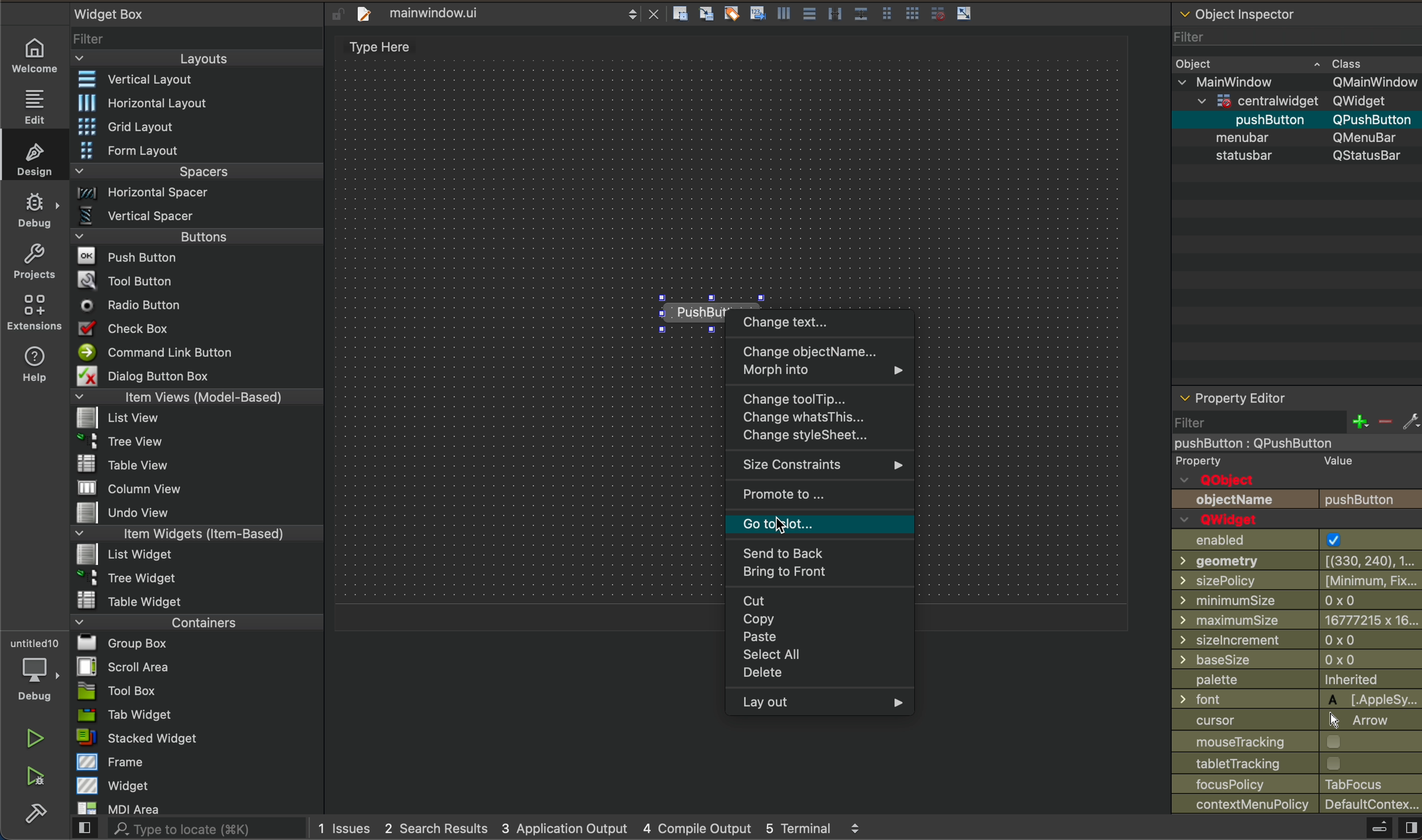 The height and width of the screenshot is (840, 1422). I want to click on scroll, so click(631, 16).